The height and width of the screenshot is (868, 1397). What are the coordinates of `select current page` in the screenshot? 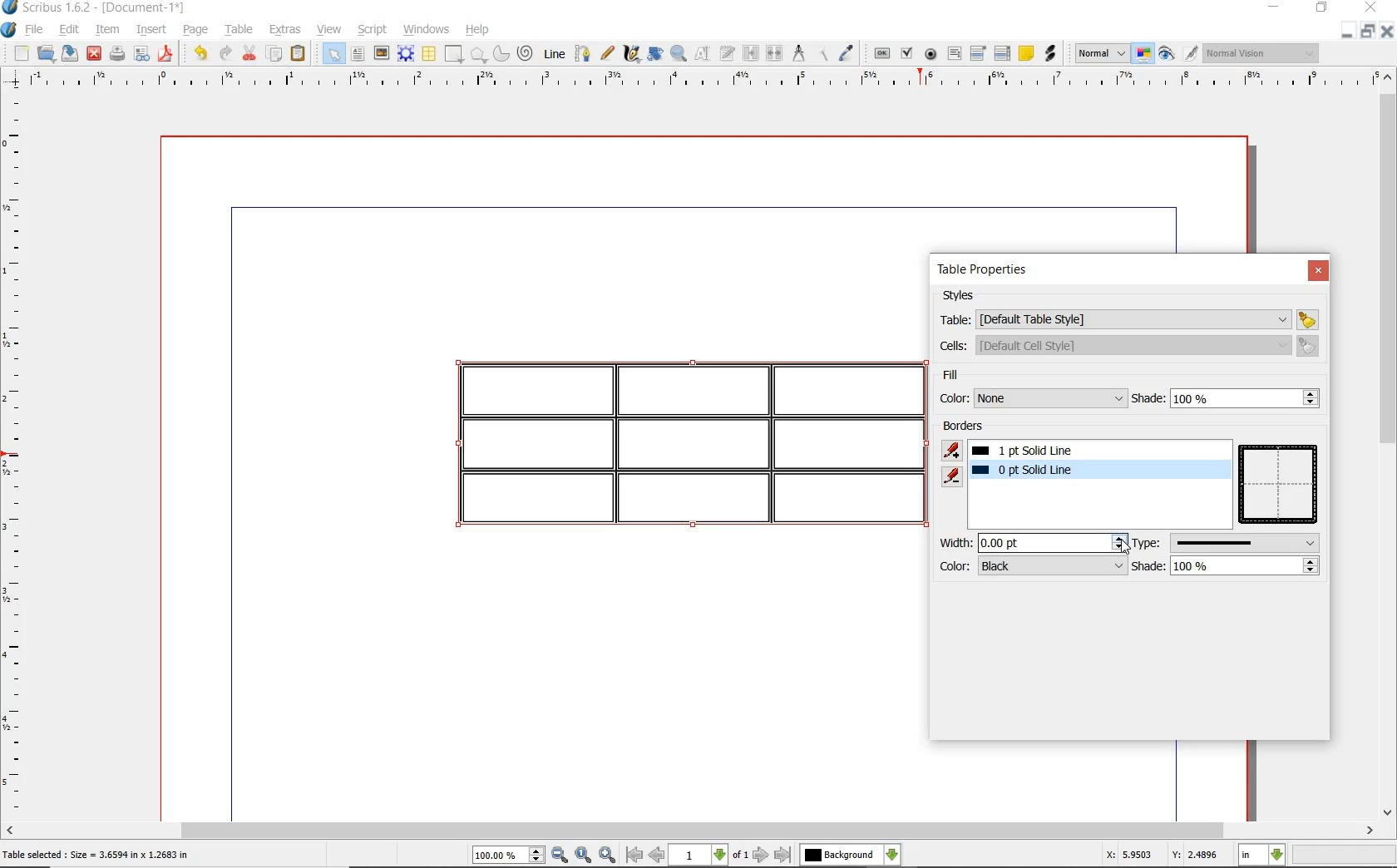 It's located at (709, 855).